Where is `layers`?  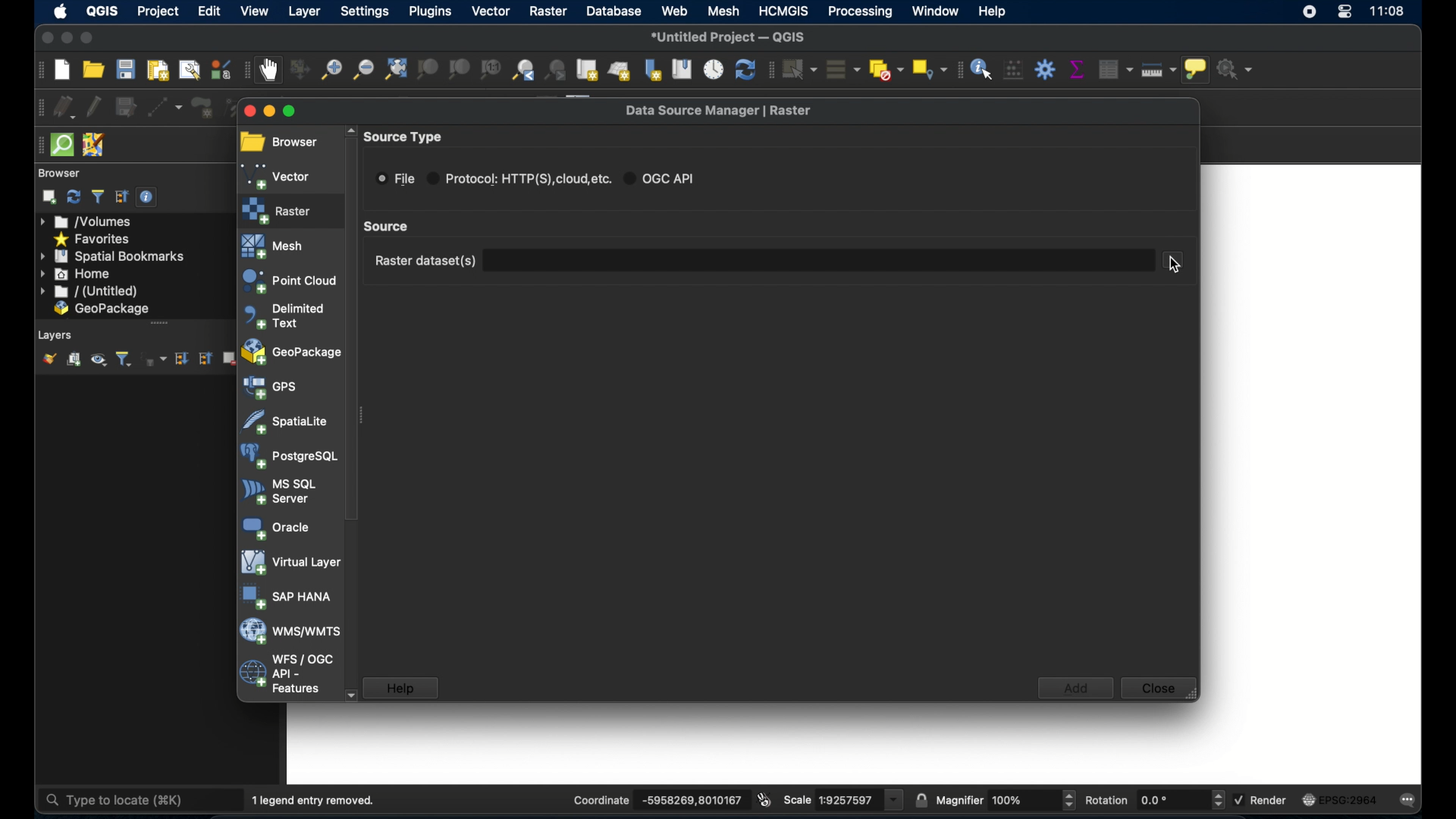 layers is located at coordinates (56, 334).